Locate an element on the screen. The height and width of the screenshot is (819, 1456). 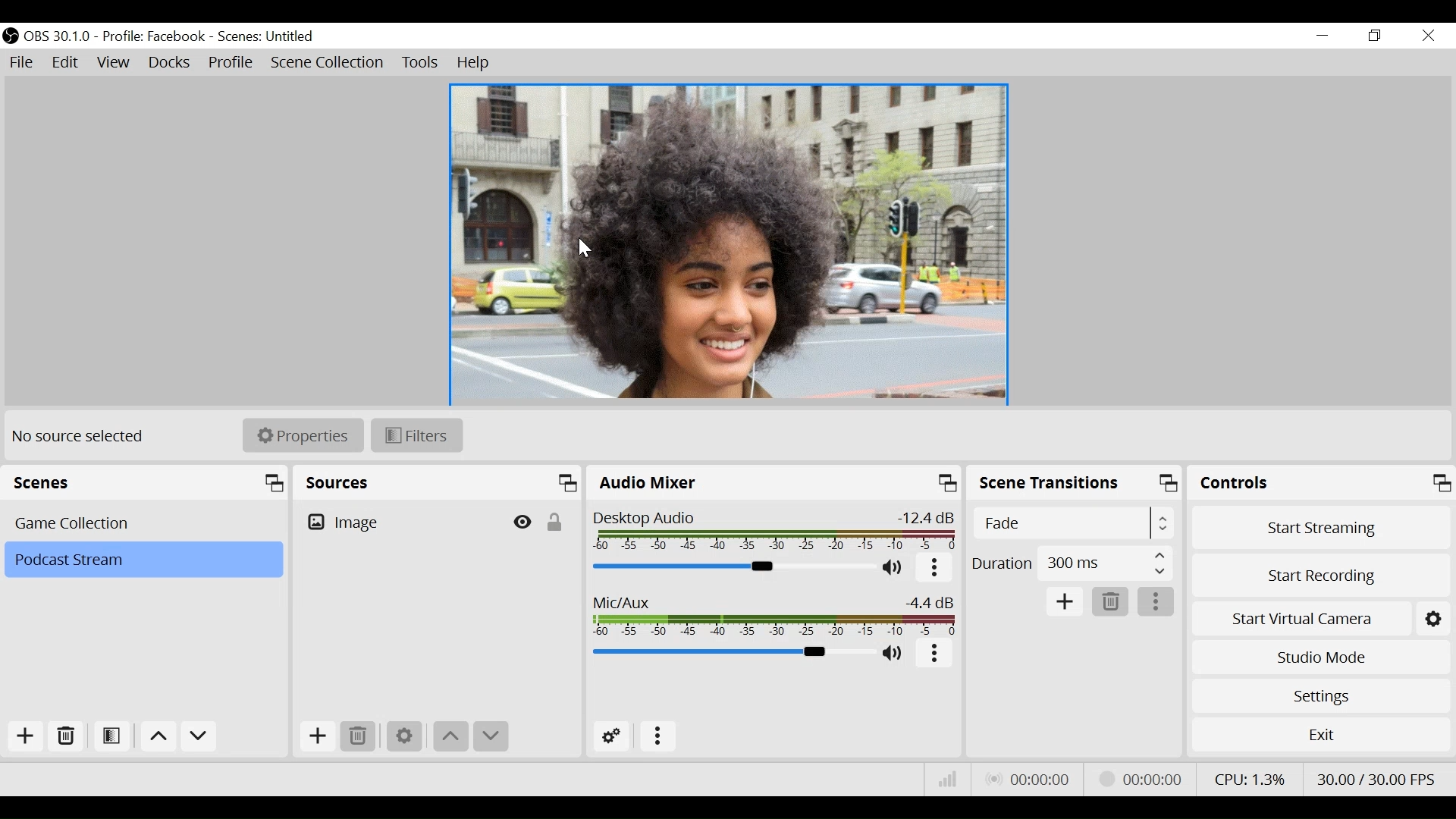
More options is located at coordinates (1158, 601).